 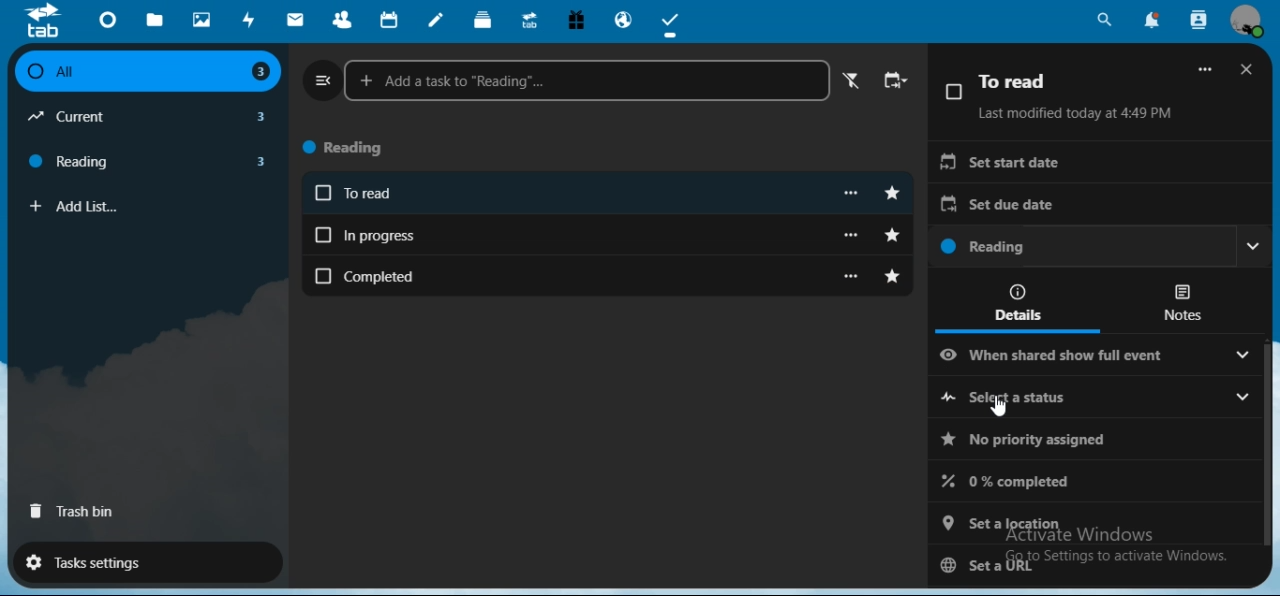 What do you see at coordinates (1064, 403) in the screenshot?
I see `select a status` at bounding box center [1064, 403].